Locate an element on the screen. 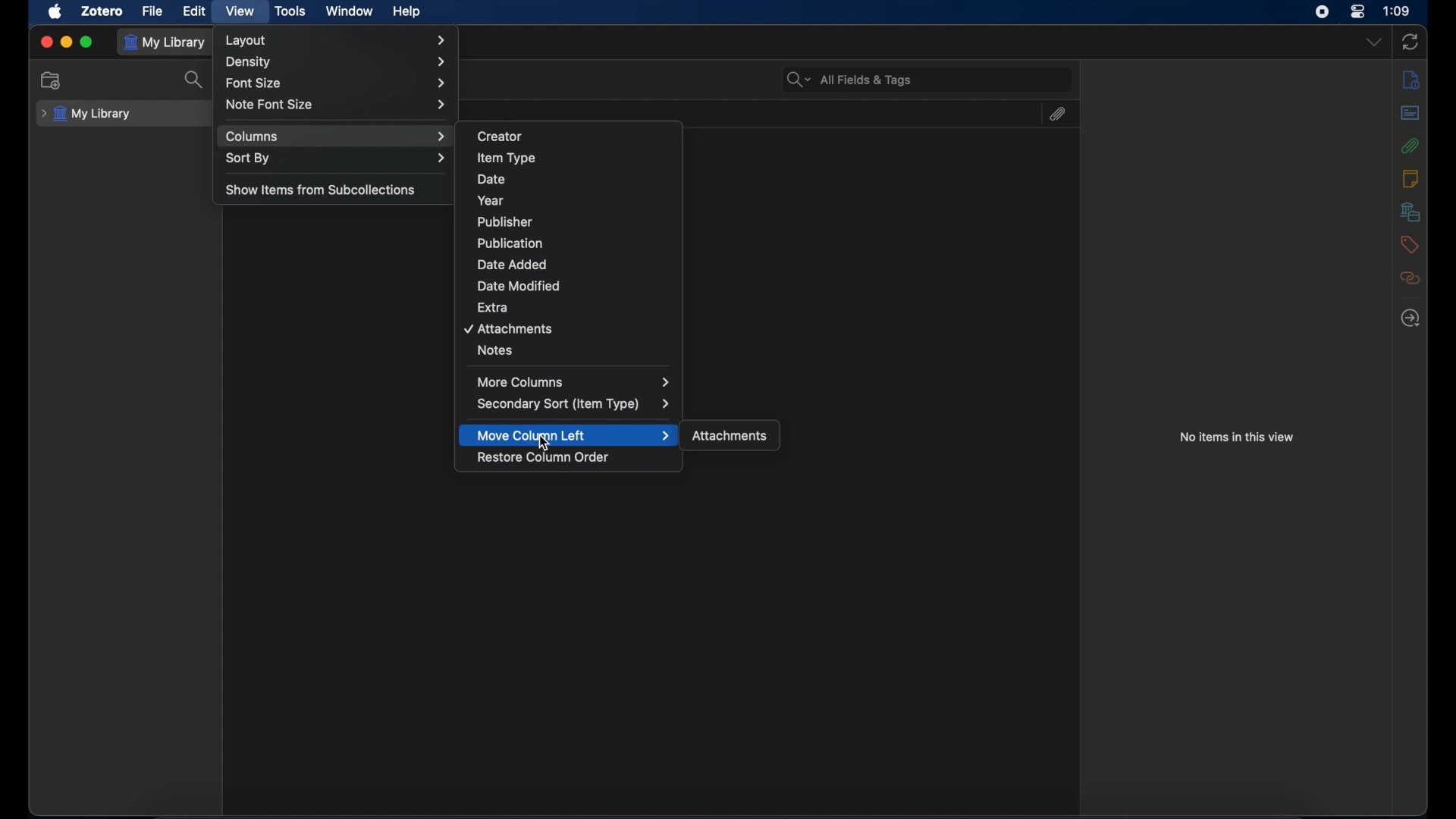  apple is located at coordinates (56, 12).